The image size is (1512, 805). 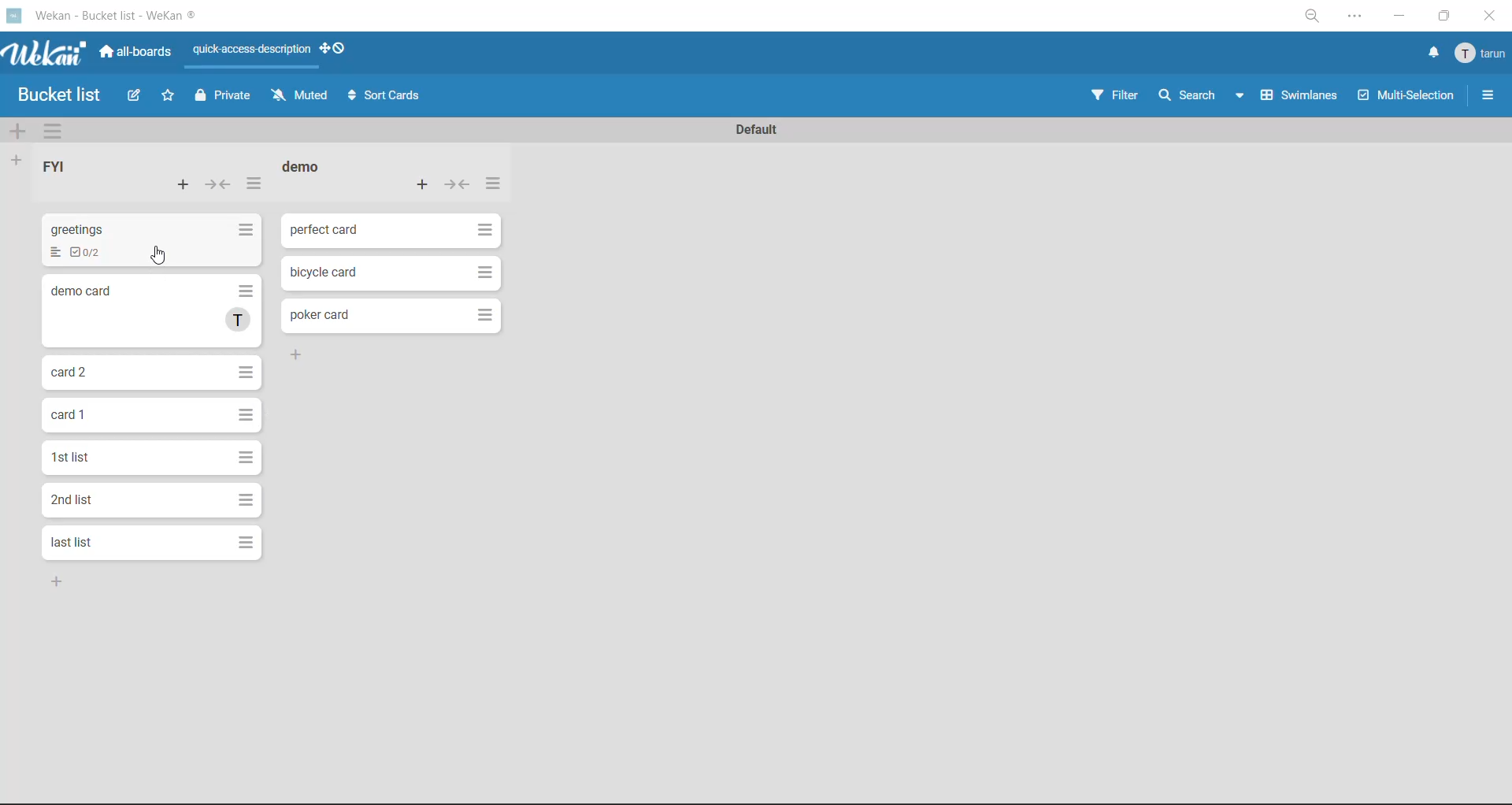 I want to click on multiselection, so click(x=1403, y=98).